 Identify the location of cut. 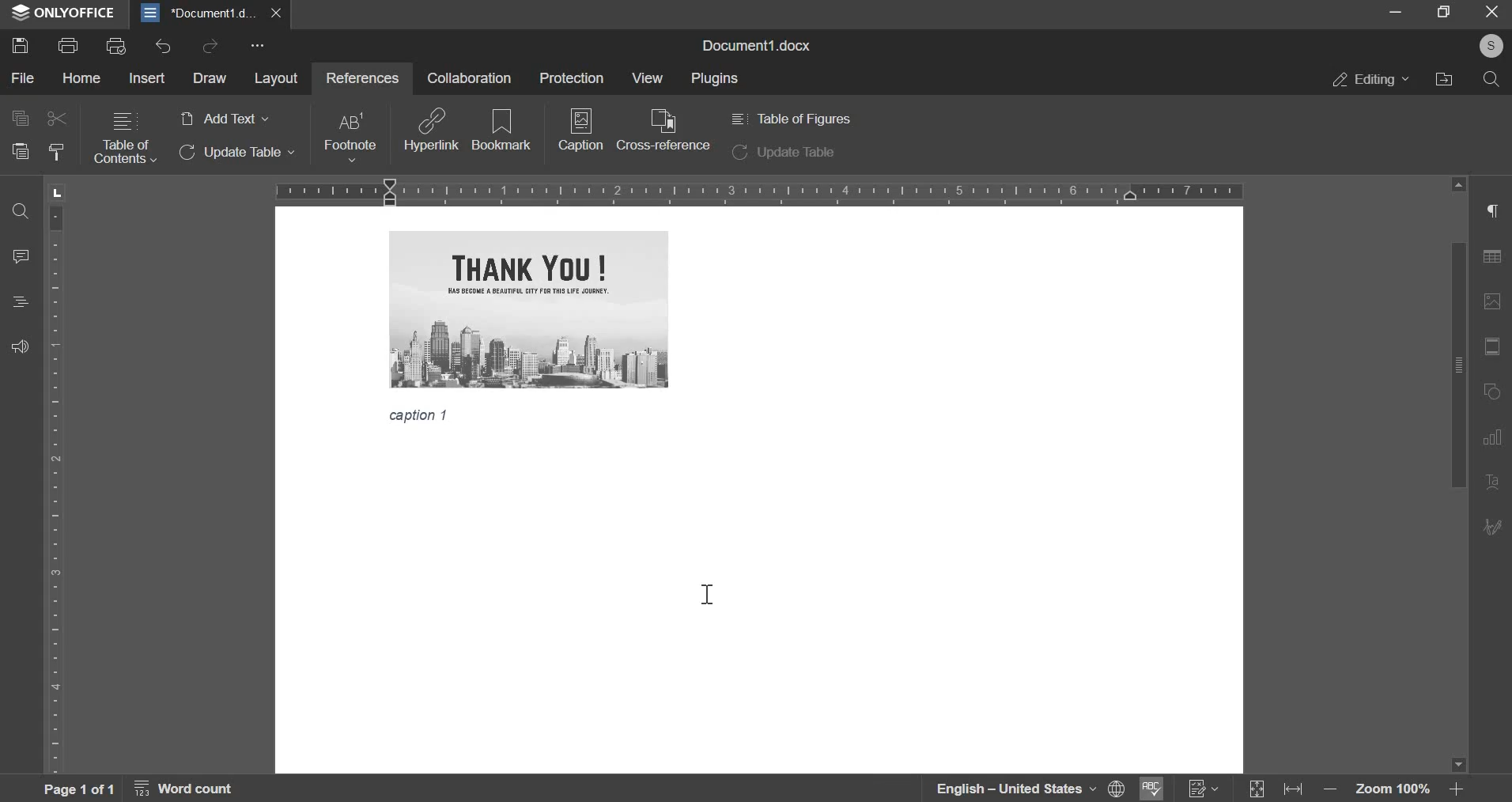
(58, 119).